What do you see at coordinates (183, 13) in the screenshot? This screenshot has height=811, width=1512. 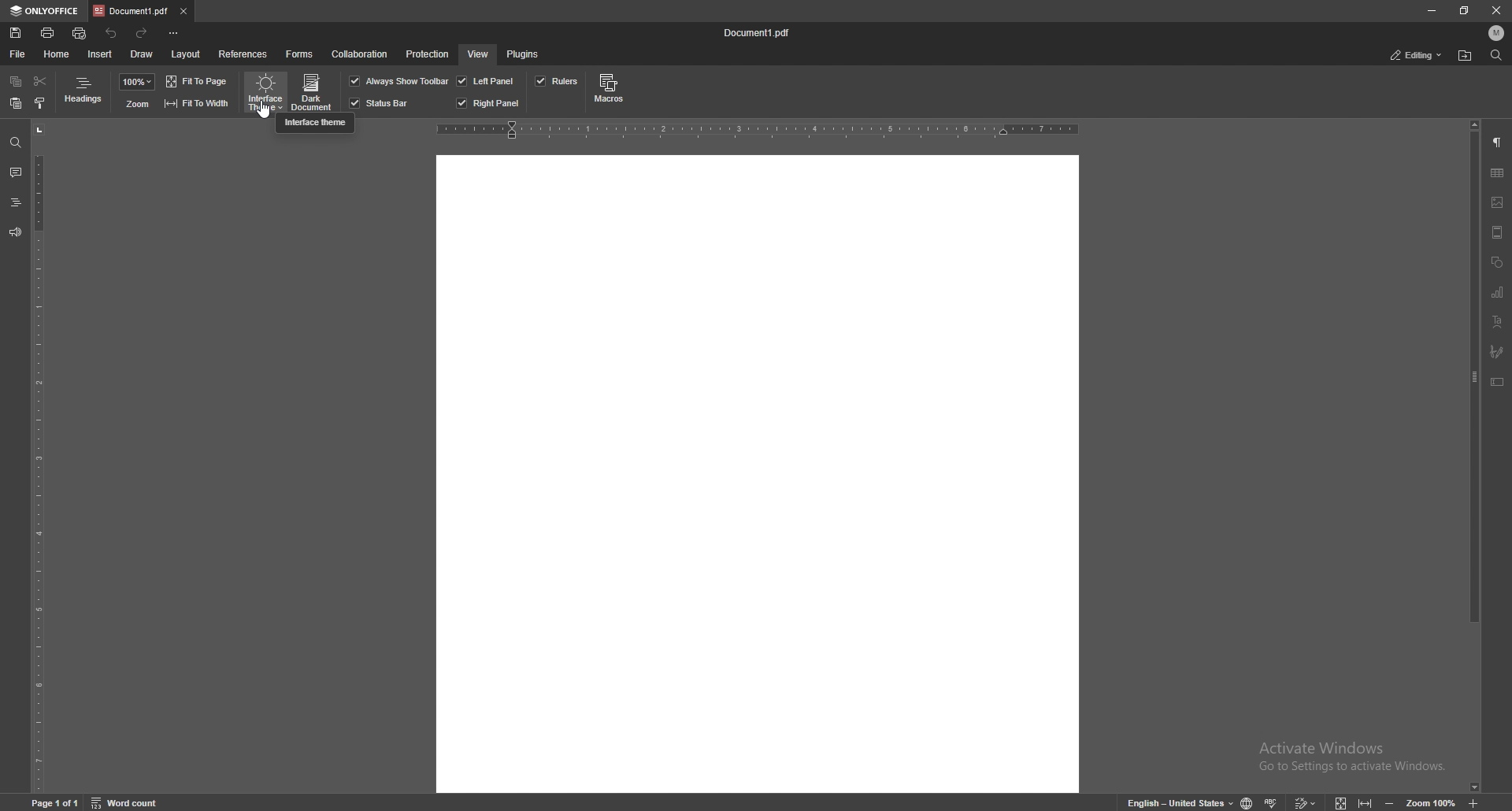 I see `close tab` at bounding box center [183, 13].